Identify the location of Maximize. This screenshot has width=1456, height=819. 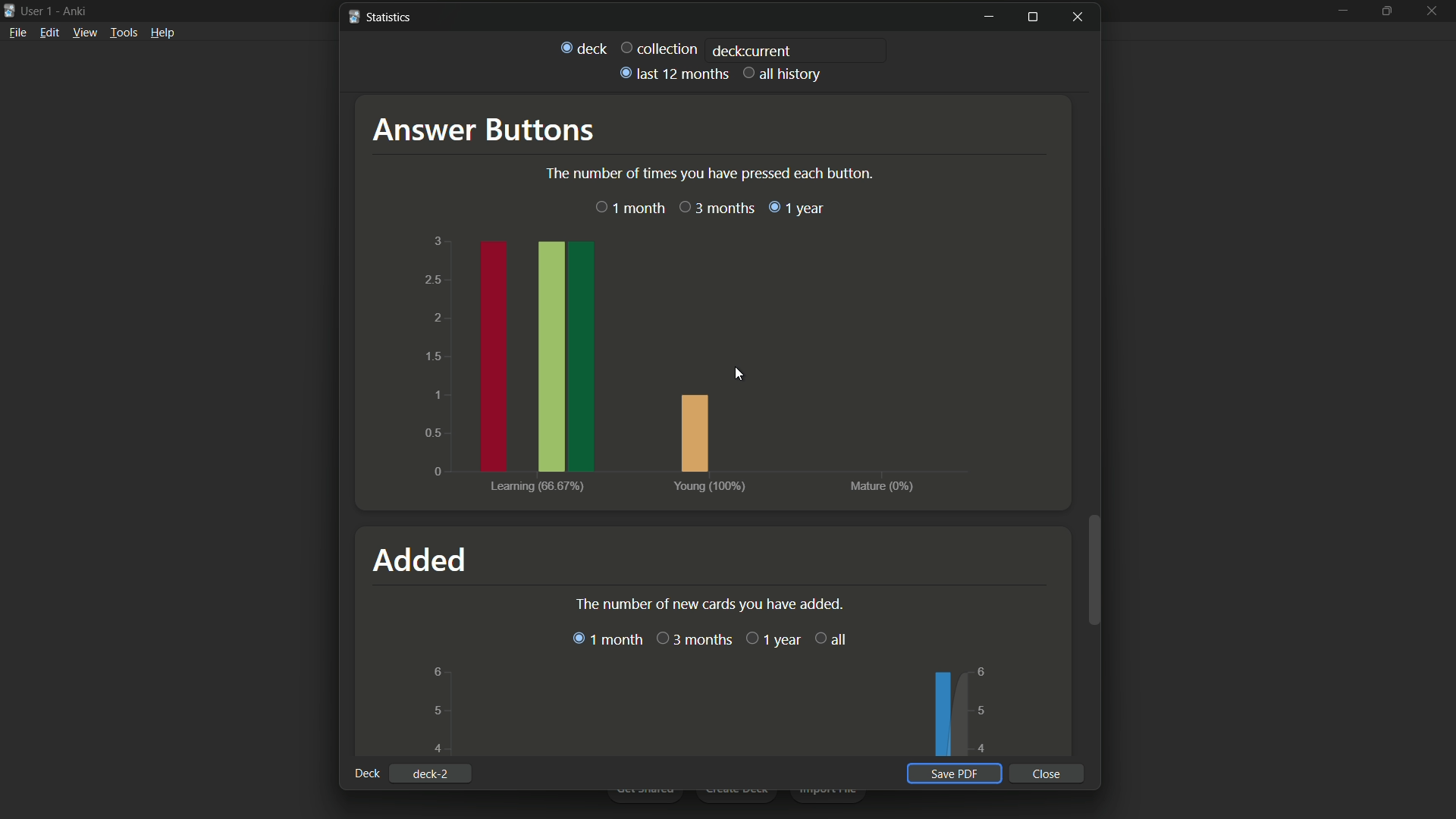
(1389, 19).